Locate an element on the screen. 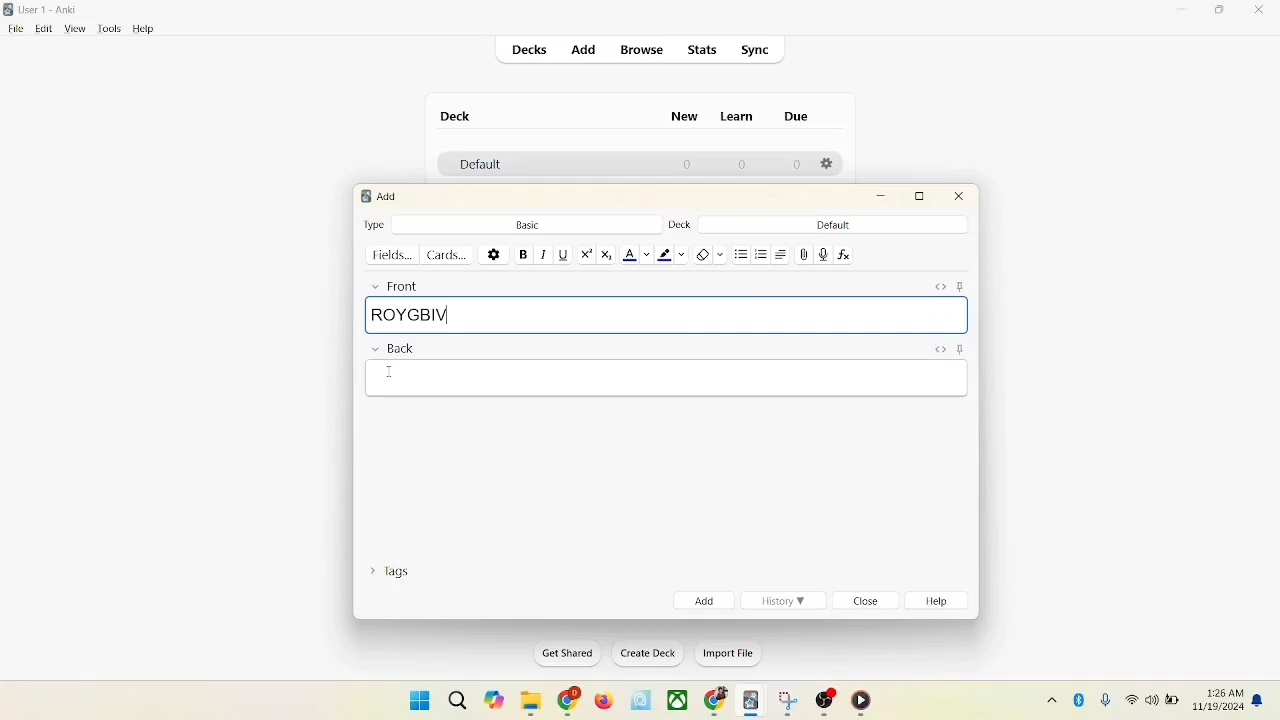 The image size is (1280, 720).  is located at coordinates (689, 166).